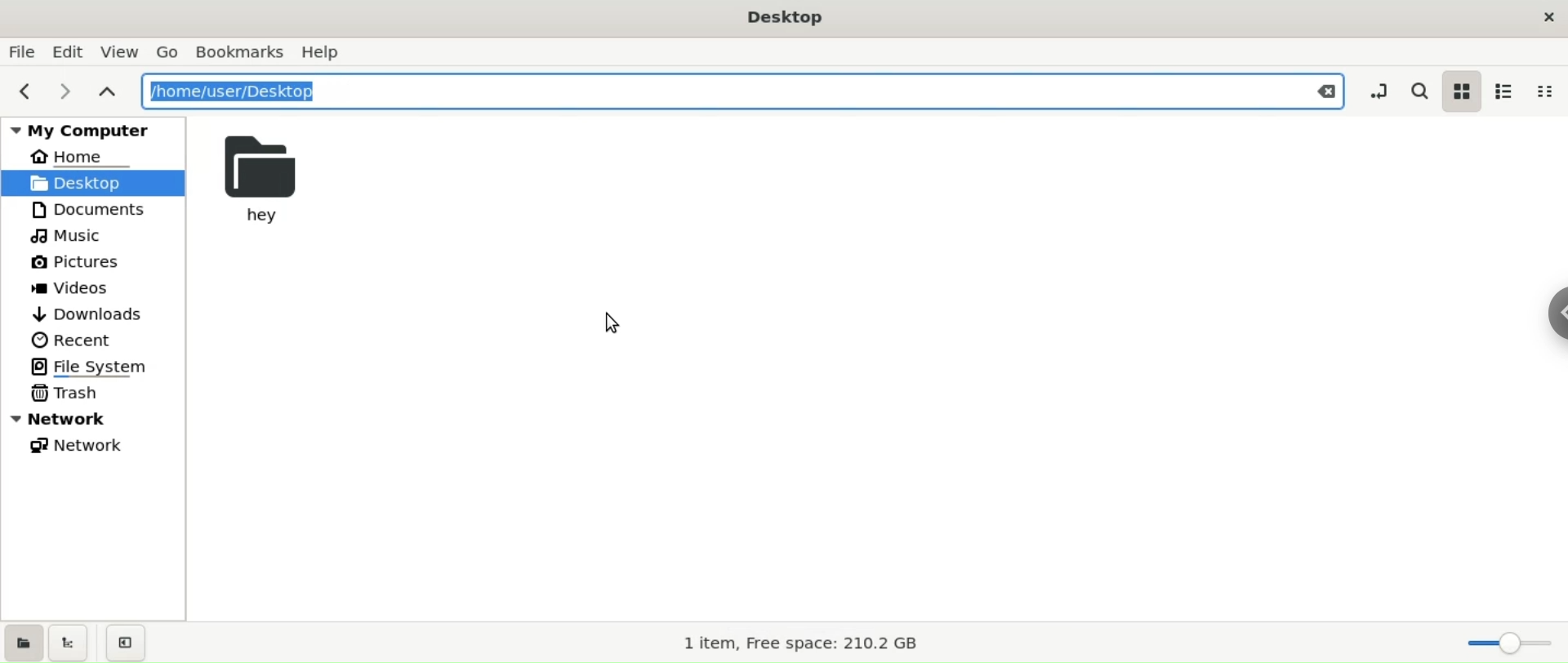 Image resolution: width=1568 pixels, height=663 pixels. What do you see at coordinates (1548, 90) in the screenshot?
I see `compact view` at bounding box center [1548, 90].